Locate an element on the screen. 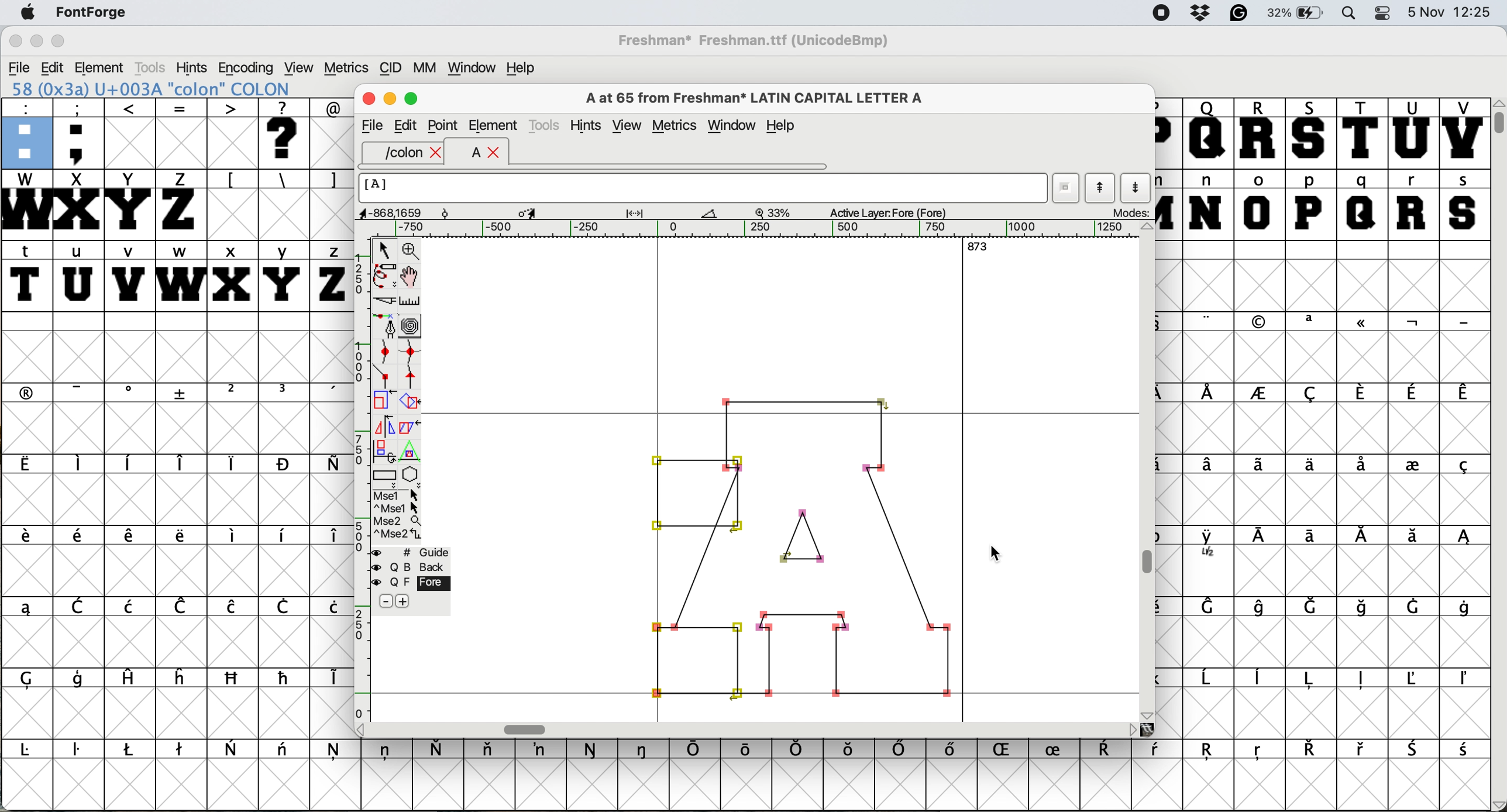  symbol is located at coordinates (747, 748).